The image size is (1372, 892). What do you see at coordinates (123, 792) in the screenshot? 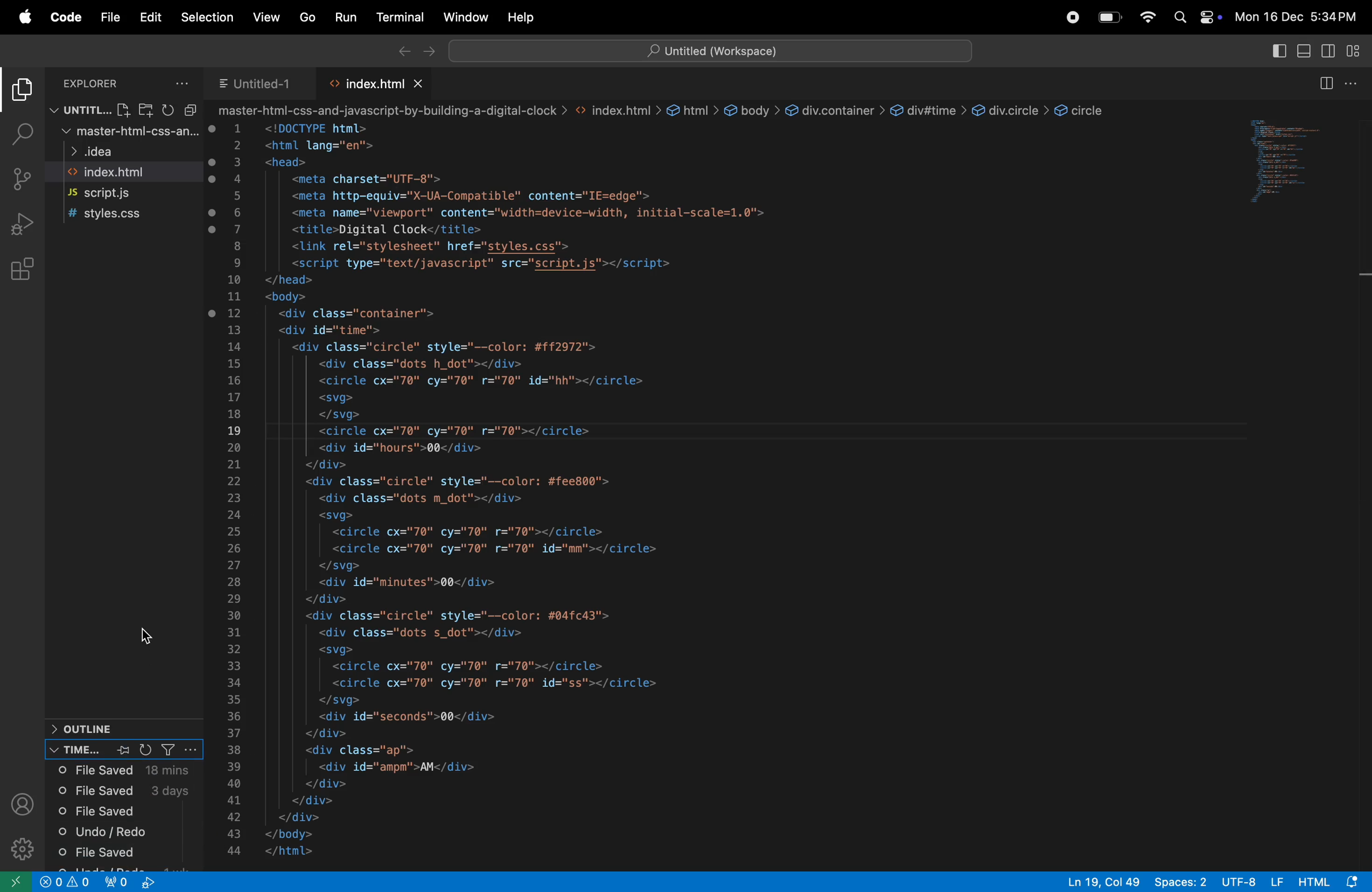
I see `file saved 3 days ago` at bounding box center [123, 792].